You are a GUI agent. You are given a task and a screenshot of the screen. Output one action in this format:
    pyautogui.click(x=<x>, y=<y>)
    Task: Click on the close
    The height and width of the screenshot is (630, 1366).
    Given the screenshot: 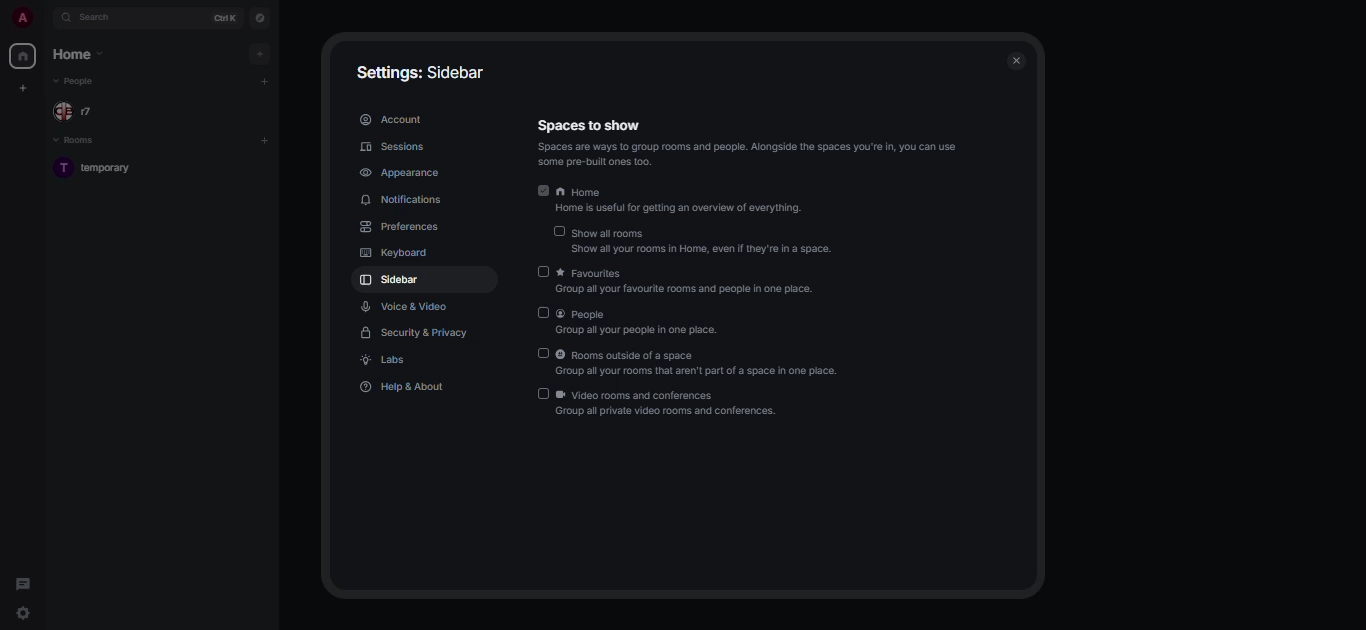 What is the action you would take?
    pyautogui.click(x=1018, y=61)
    